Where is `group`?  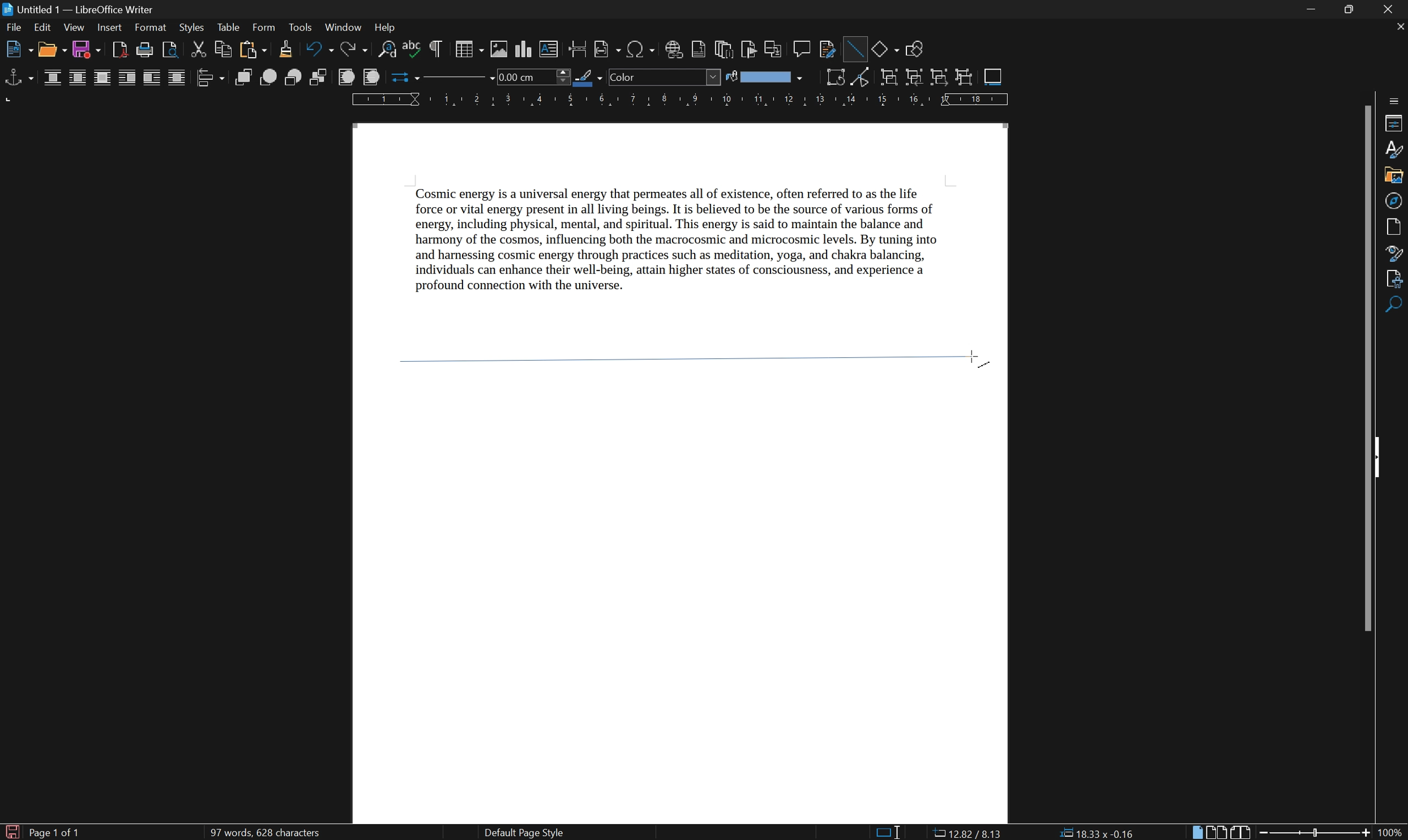
group is located at coordinates (888, 78).